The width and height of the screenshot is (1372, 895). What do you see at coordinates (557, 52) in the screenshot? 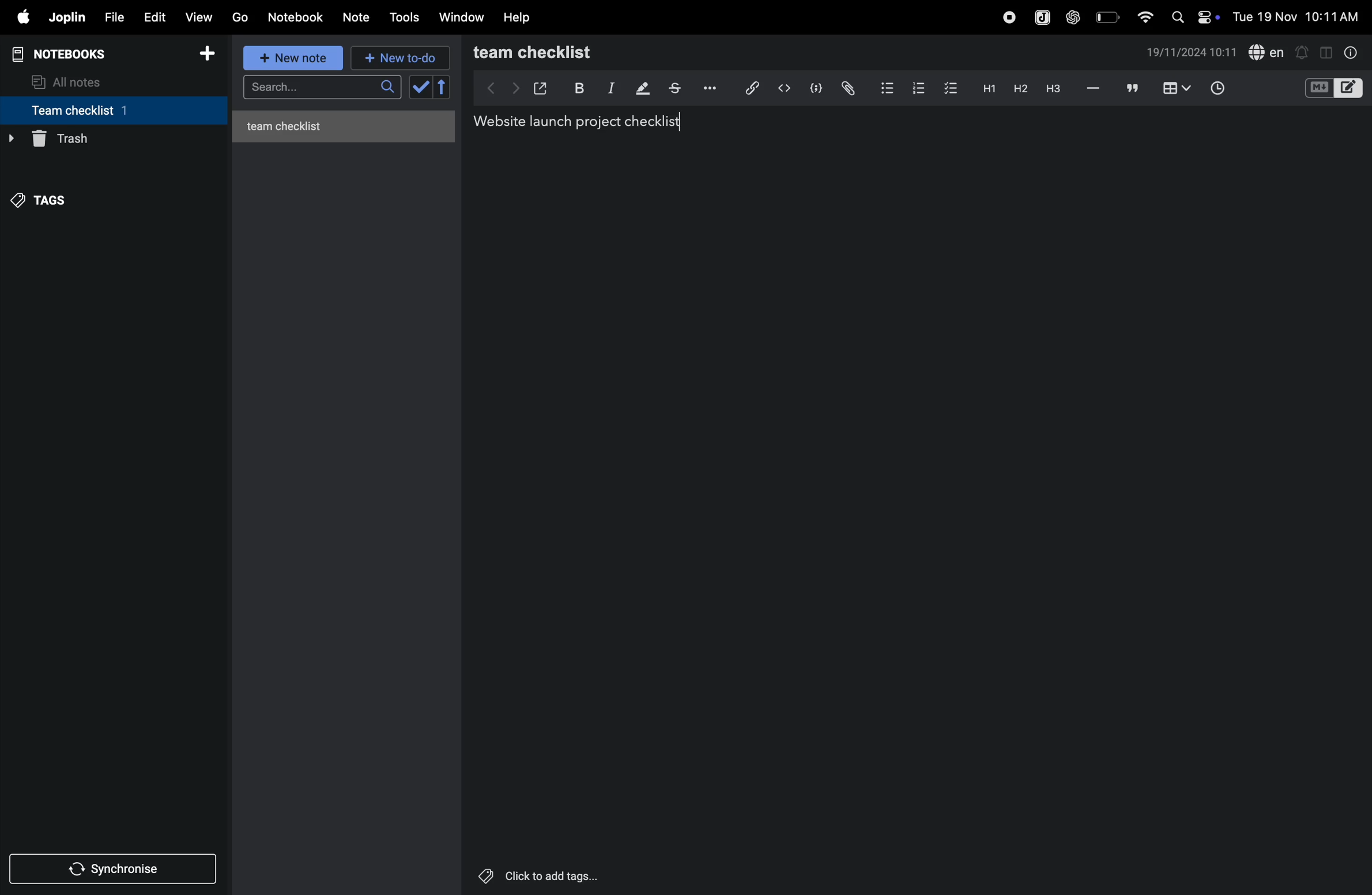
I see `team checklist` at bounding box center [557, 52].